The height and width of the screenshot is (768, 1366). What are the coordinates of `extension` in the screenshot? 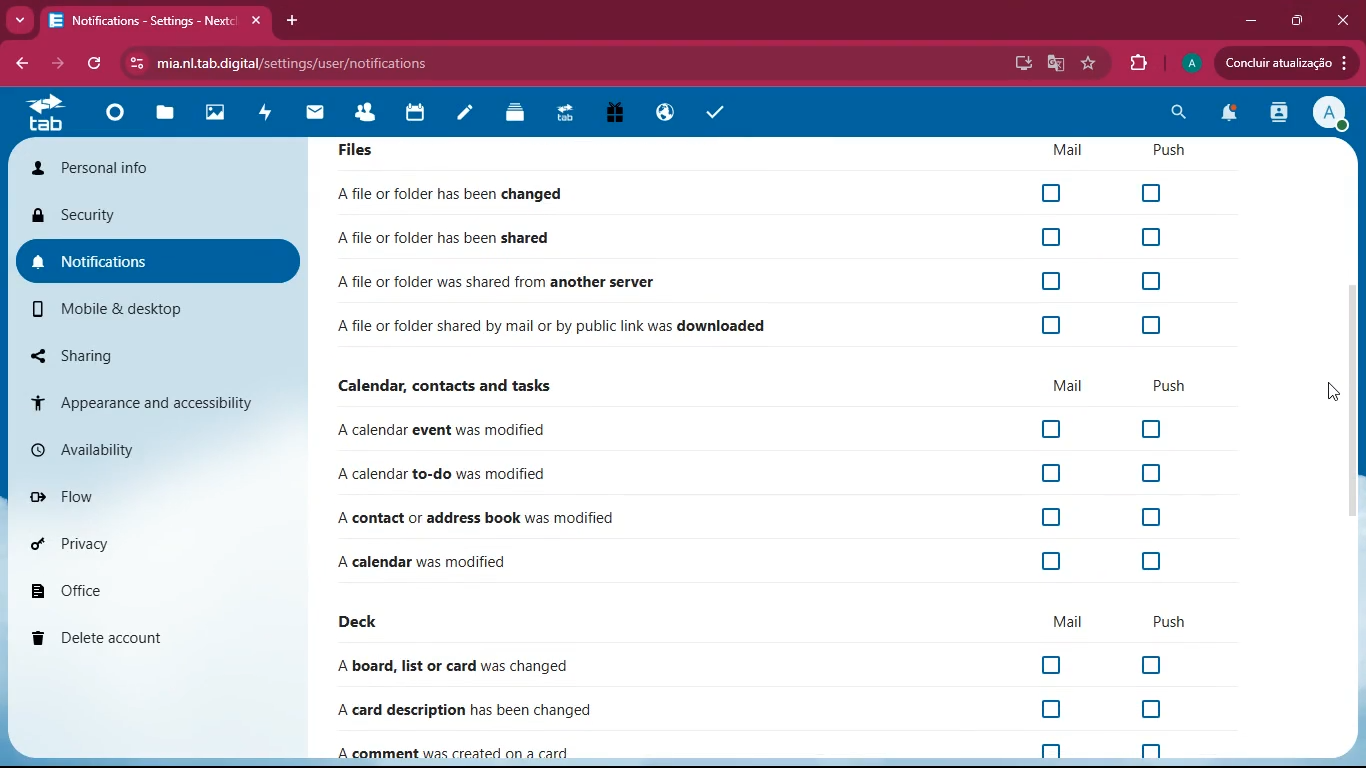 It's located at (1138, 60).